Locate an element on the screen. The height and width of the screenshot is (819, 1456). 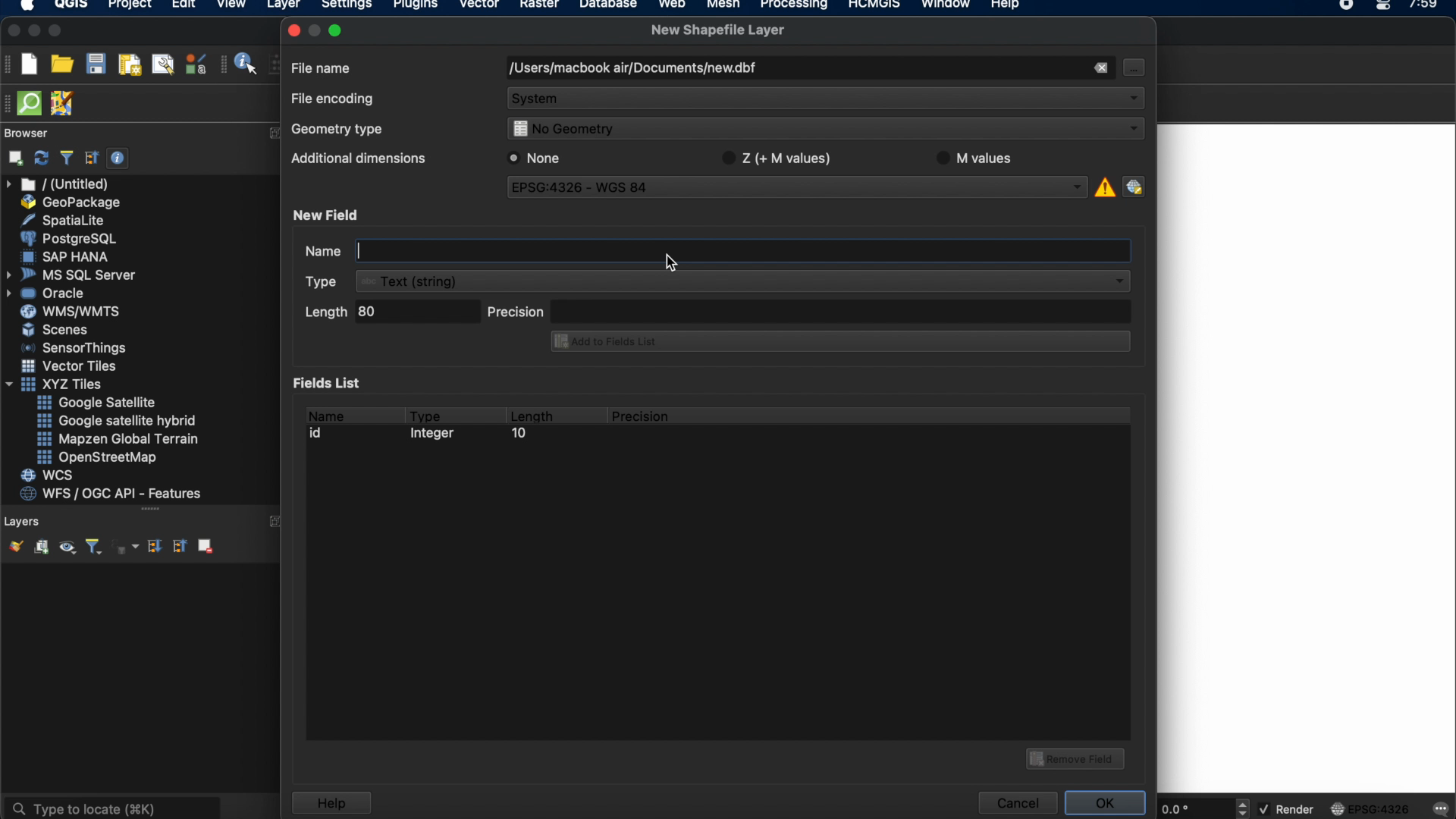
project toolbar is located at coordinates (9, 64).